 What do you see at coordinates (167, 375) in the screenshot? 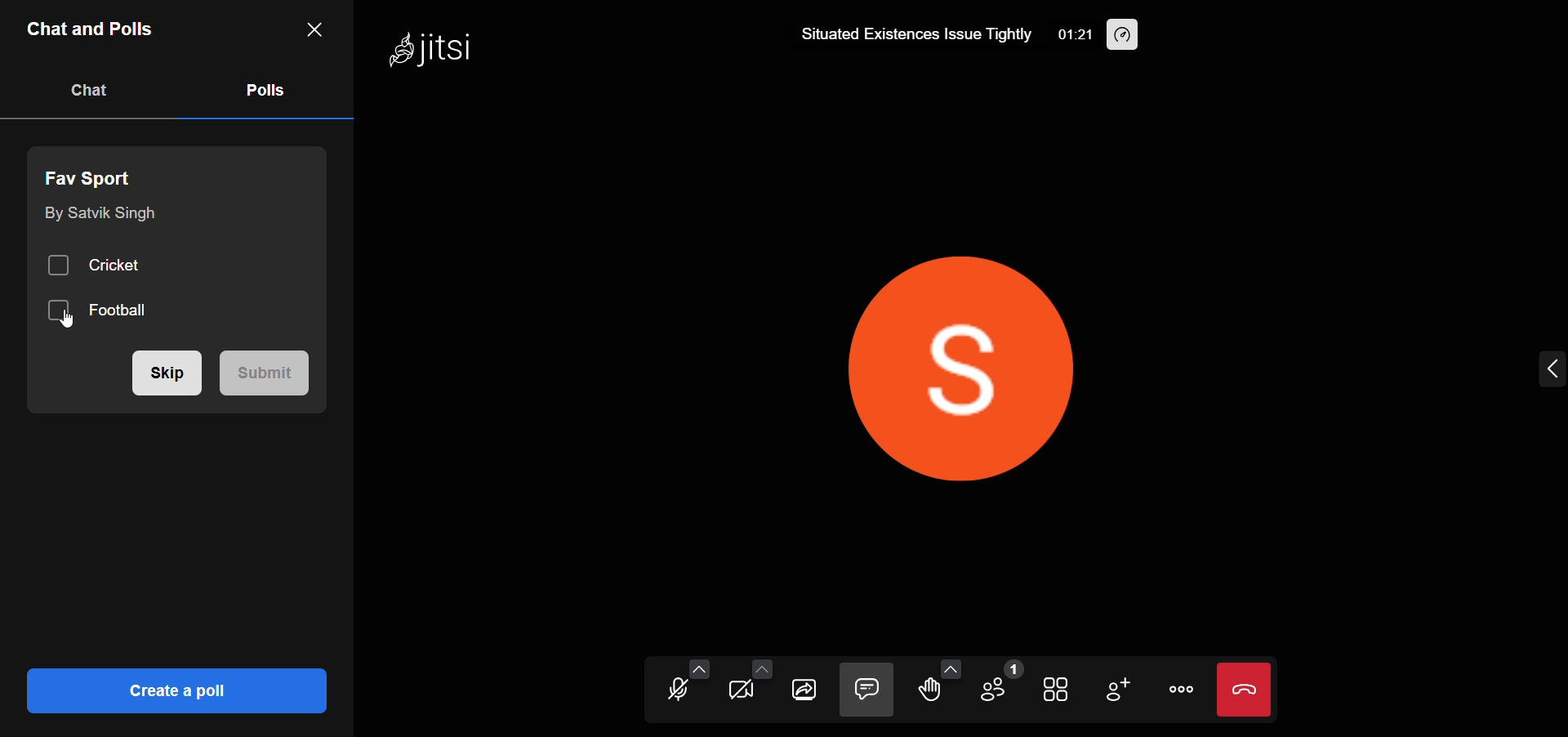
I see `skip` at bounding box center [167, 375].